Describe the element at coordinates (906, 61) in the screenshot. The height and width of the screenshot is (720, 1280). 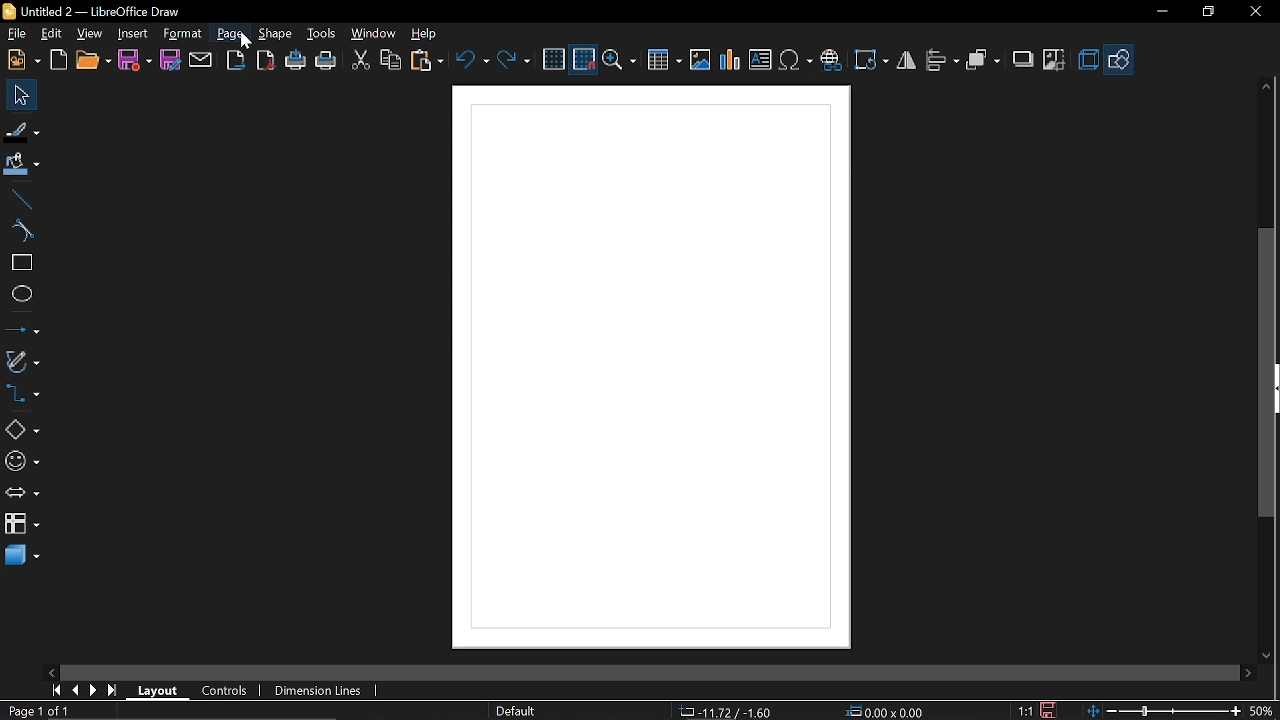
I see `flip` at that location.